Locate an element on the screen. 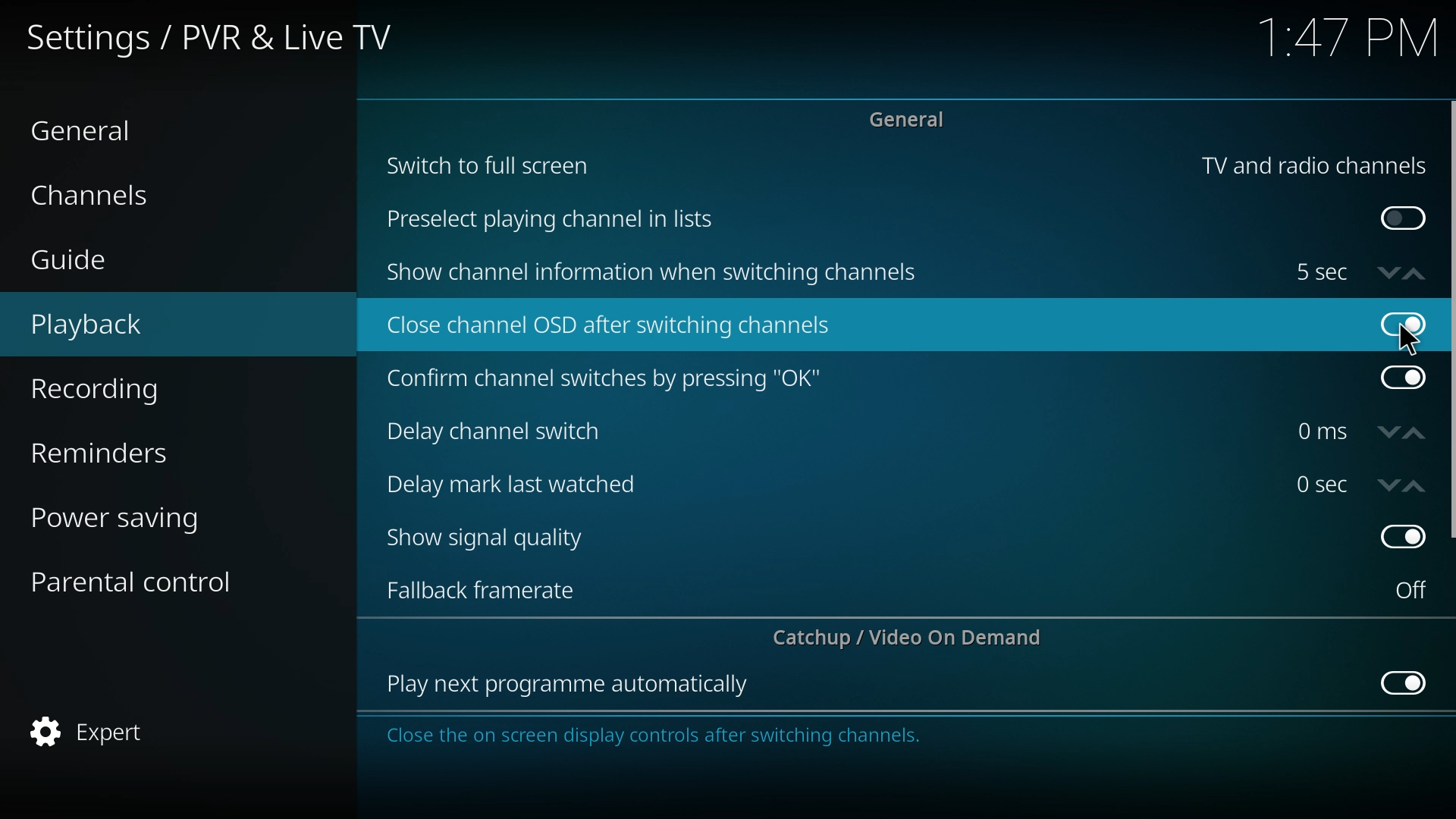 This screenshot has height=819, width=1456. show signal quality is located at coordinates (496, 538).